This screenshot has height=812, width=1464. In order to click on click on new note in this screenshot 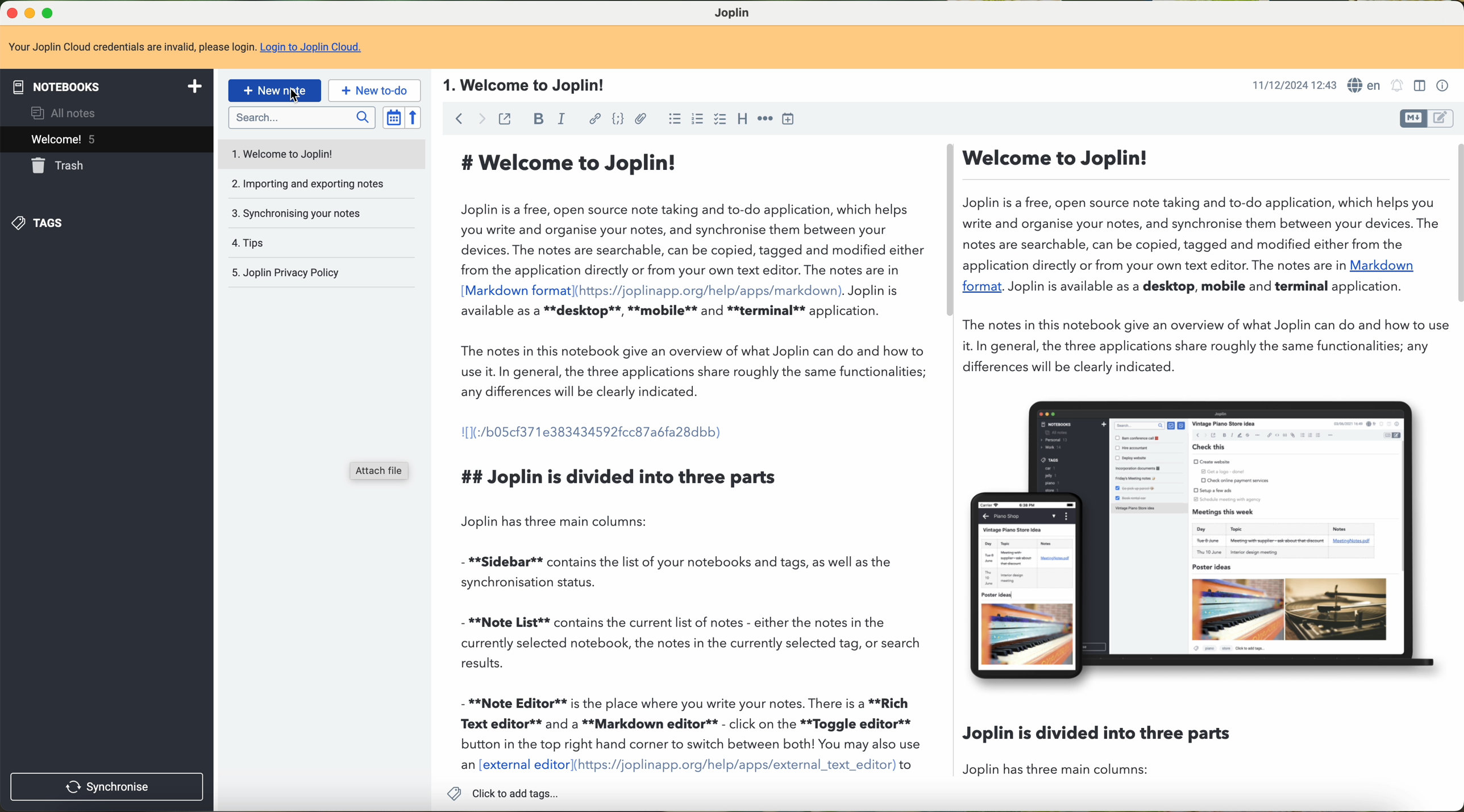, I will do `click(274, 90)`.